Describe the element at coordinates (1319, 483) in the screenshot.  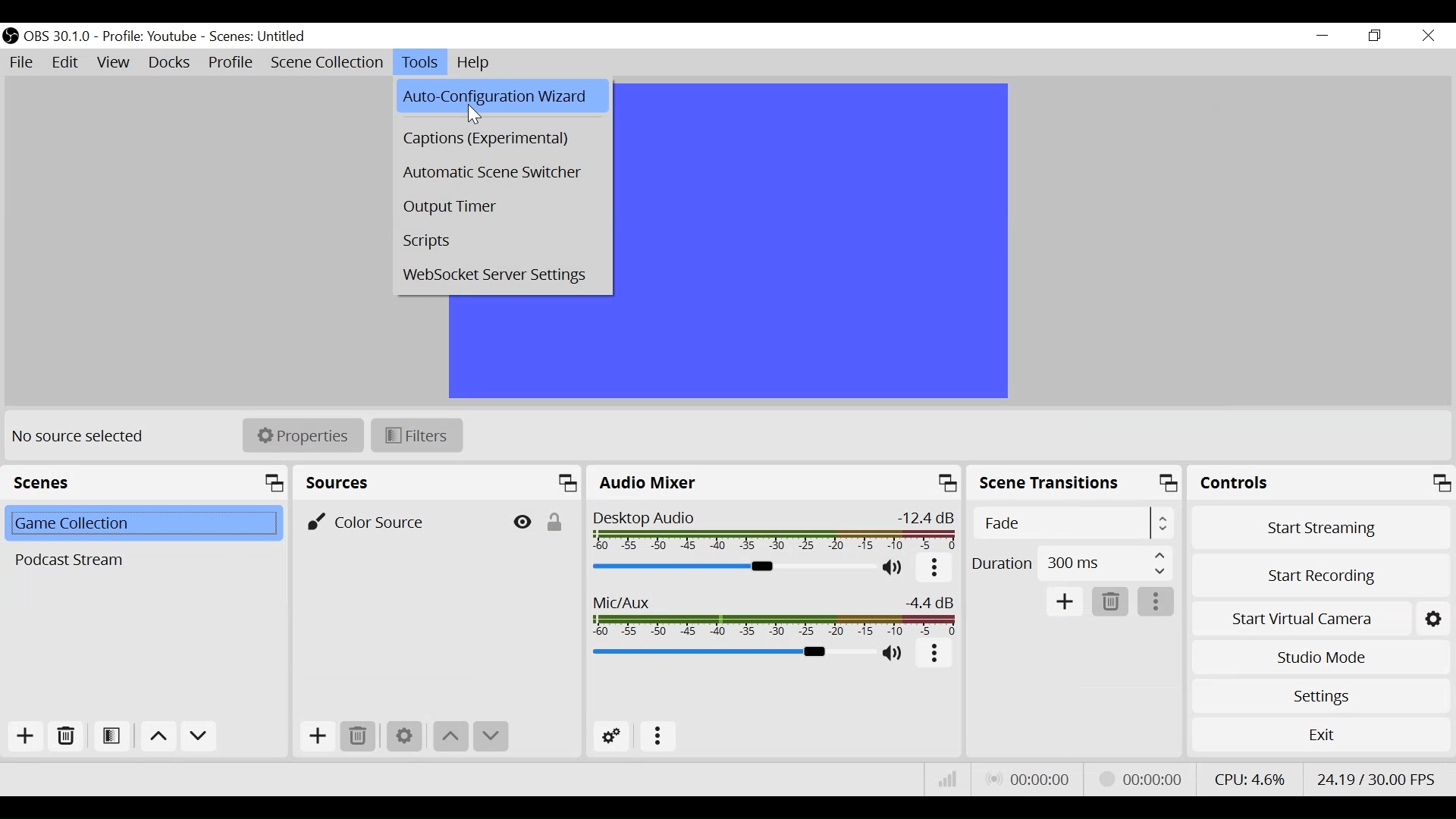
I see `Controls` at that location.